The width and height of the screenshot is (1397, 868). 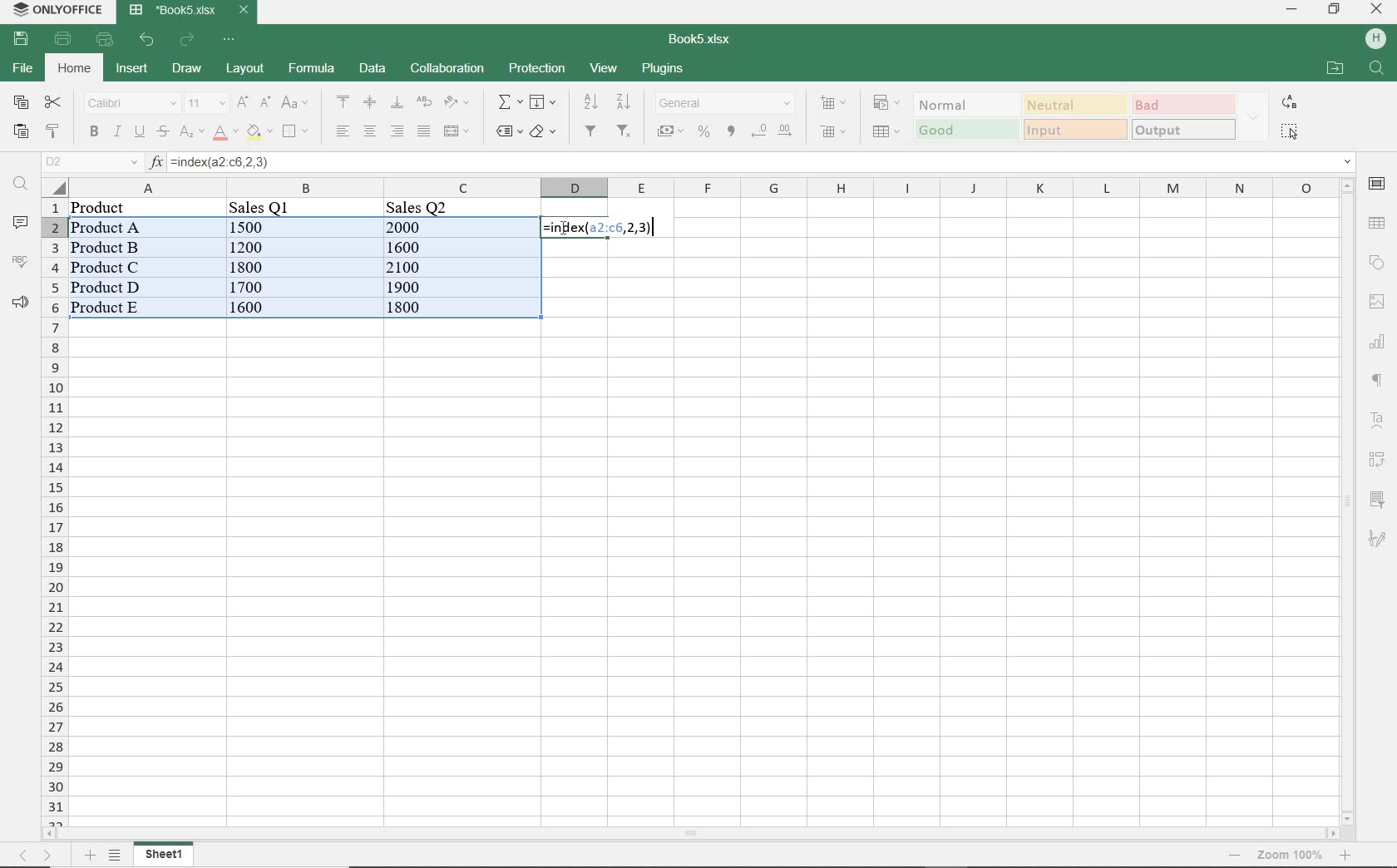 What do you see at coordinates (457, 133) in the screenshot?
I see `merge & center` at bounding box center [457, 133].